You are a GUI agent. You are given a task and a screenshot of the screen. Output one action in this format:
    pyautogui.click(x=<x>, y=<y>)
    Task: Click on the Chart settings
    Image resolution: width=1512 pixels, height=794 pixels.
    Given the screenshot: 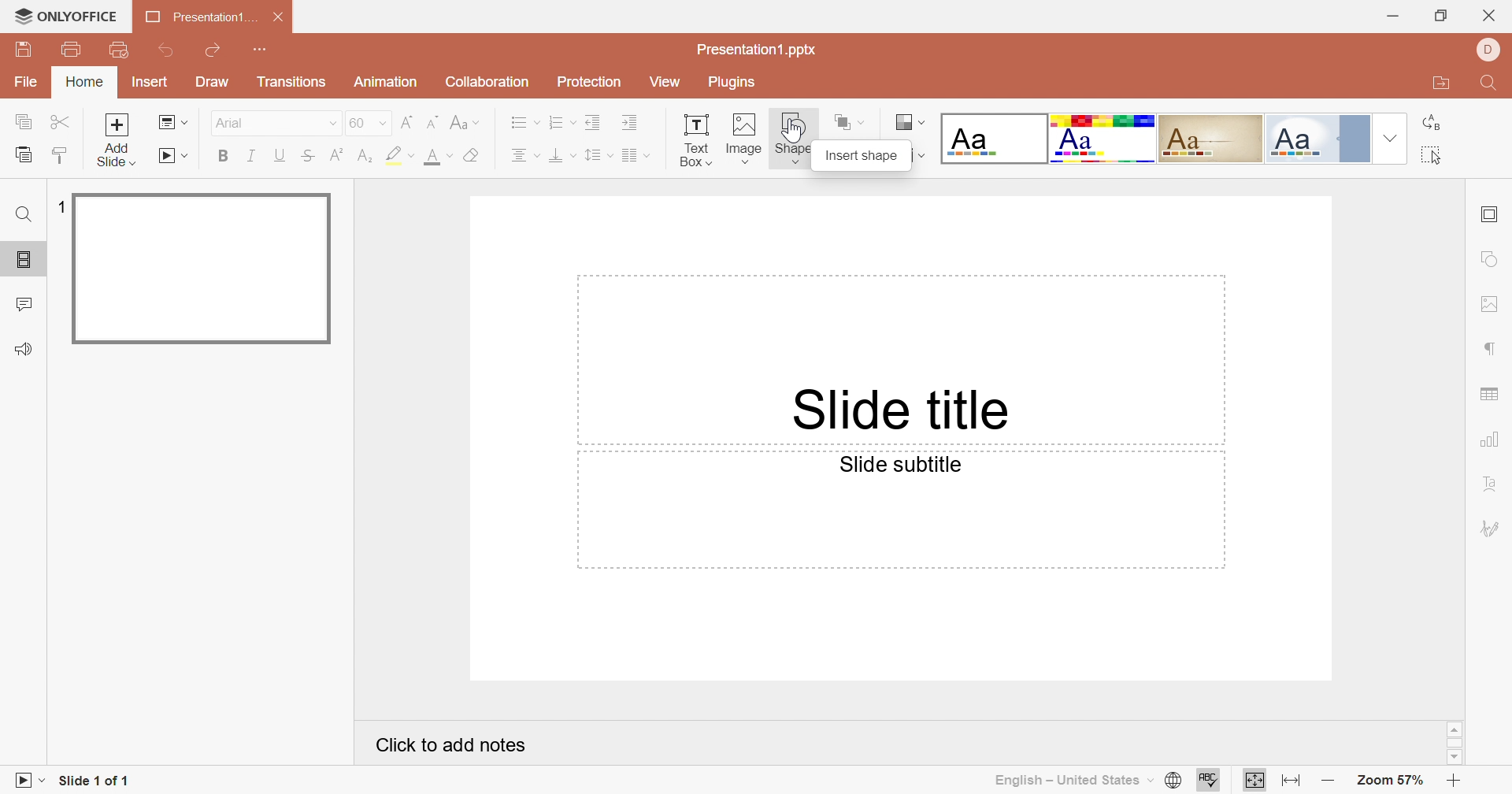 What is the action you would take?
    pyautogui.click(x=1492, y=440)
    